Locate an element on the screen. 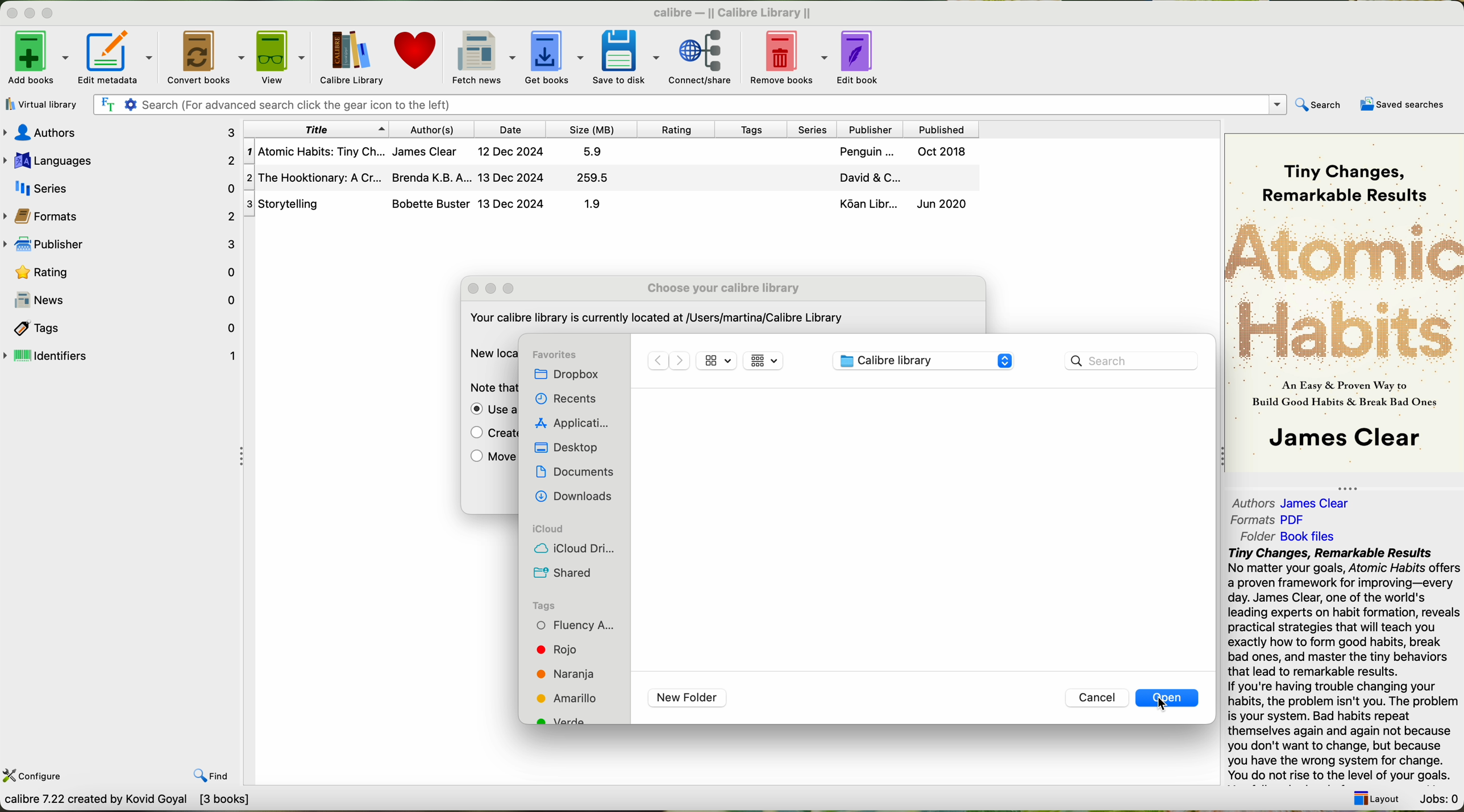  1| Atomic Habits: Tiny Ch... James Clear 12 Dec 2024 5.9 is located at coordinates (431, 153).